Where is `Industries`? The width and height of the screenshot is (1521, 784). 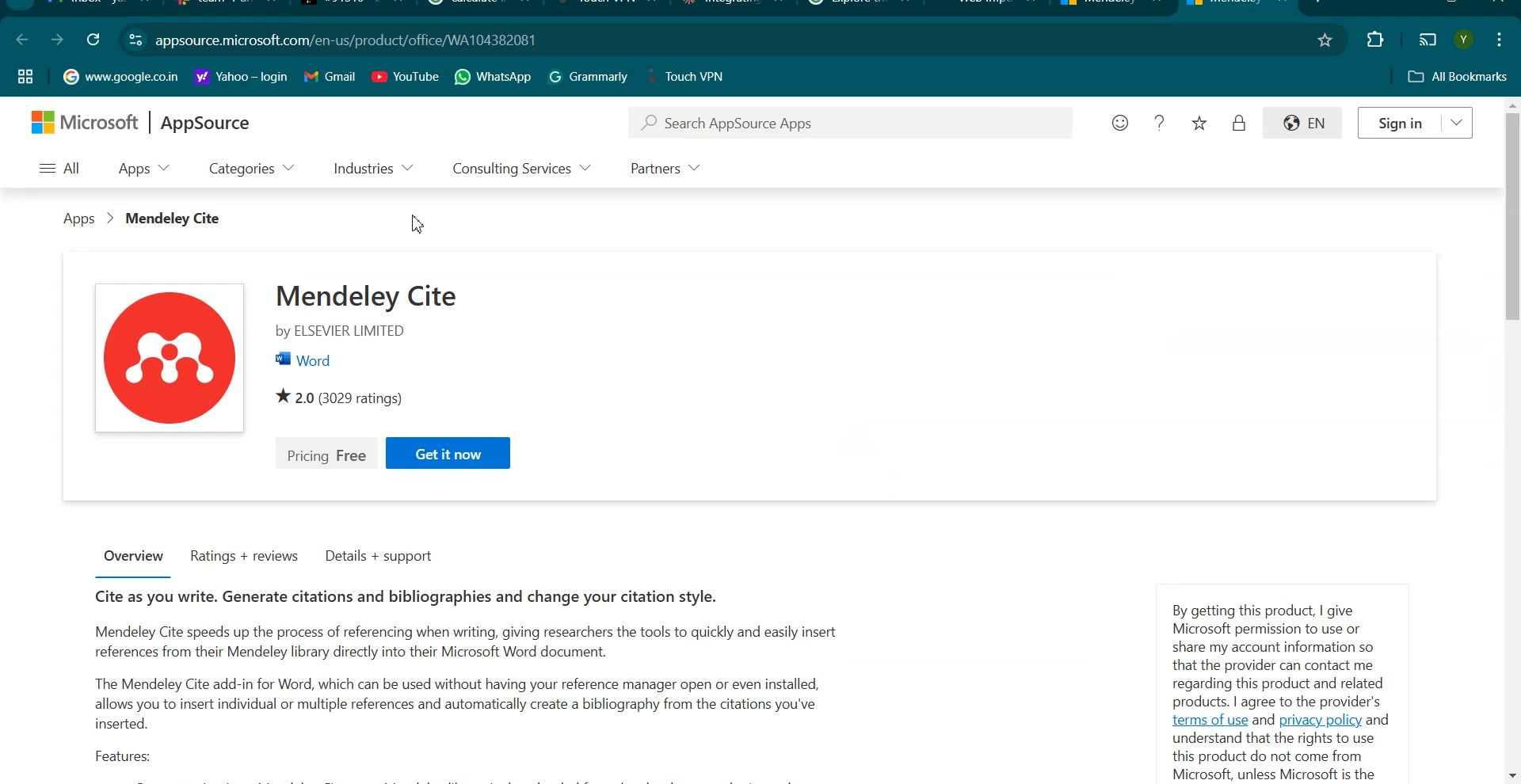
Industries is located at coordinates (375, 169).